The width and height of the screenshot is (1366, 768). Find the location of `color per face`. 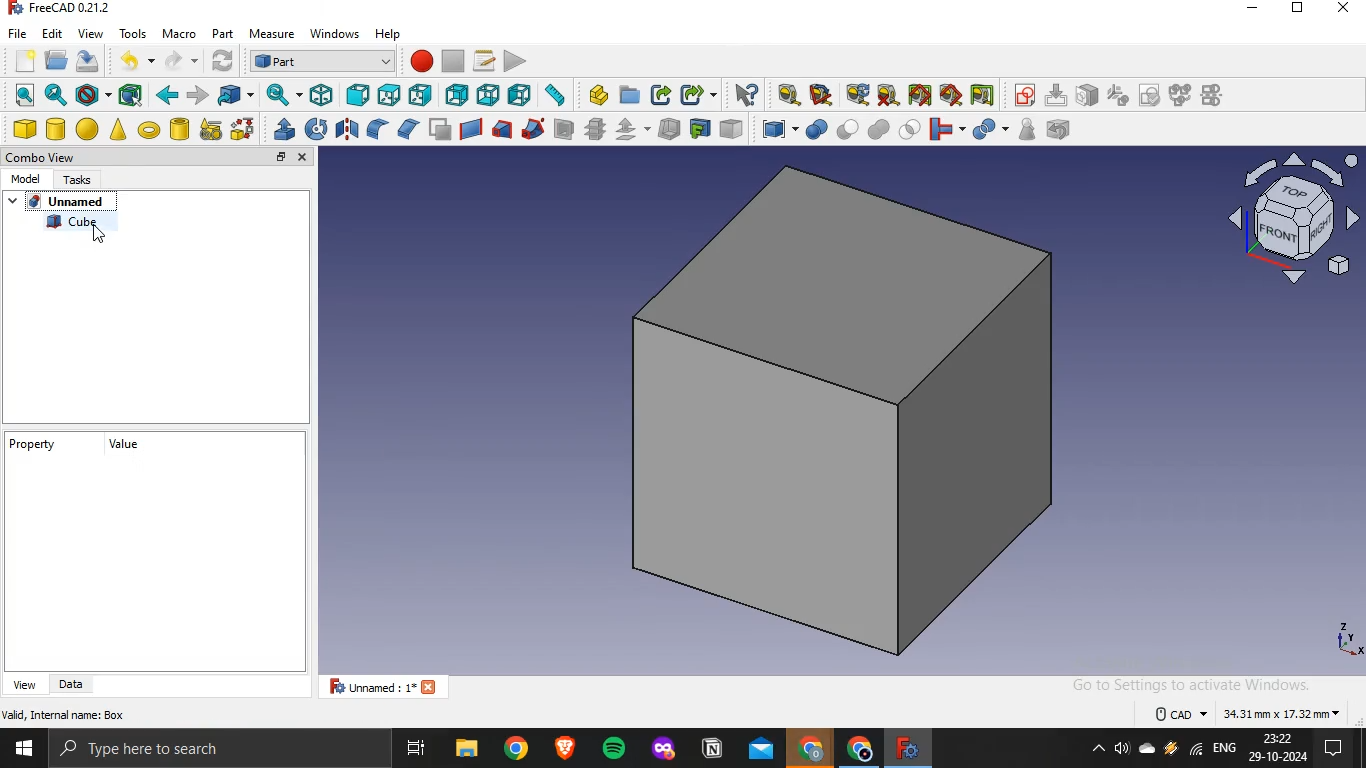

color per face is located at coordinates (731, 128).